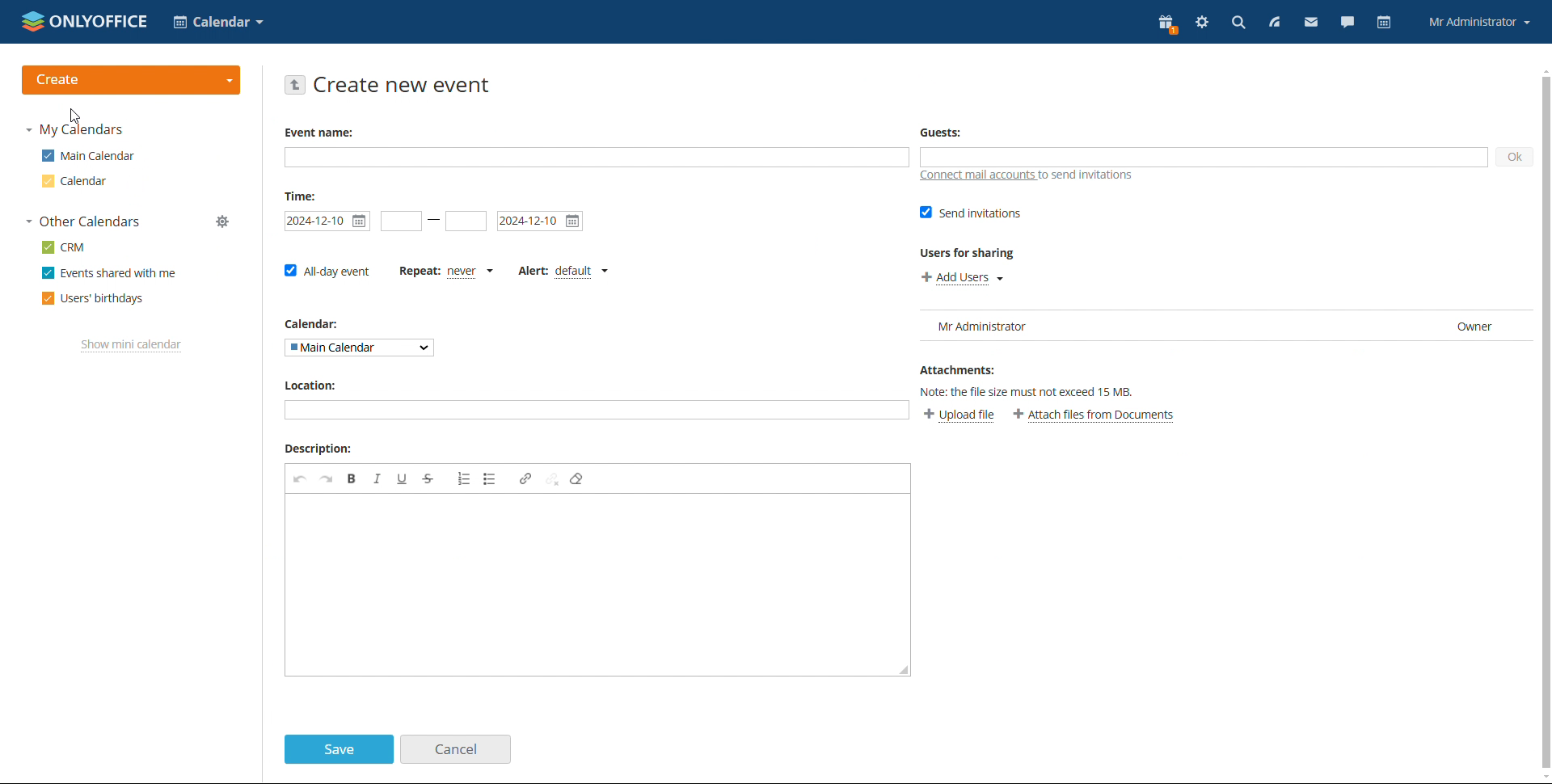  I want to click on scroll up, so click(1542, 70).